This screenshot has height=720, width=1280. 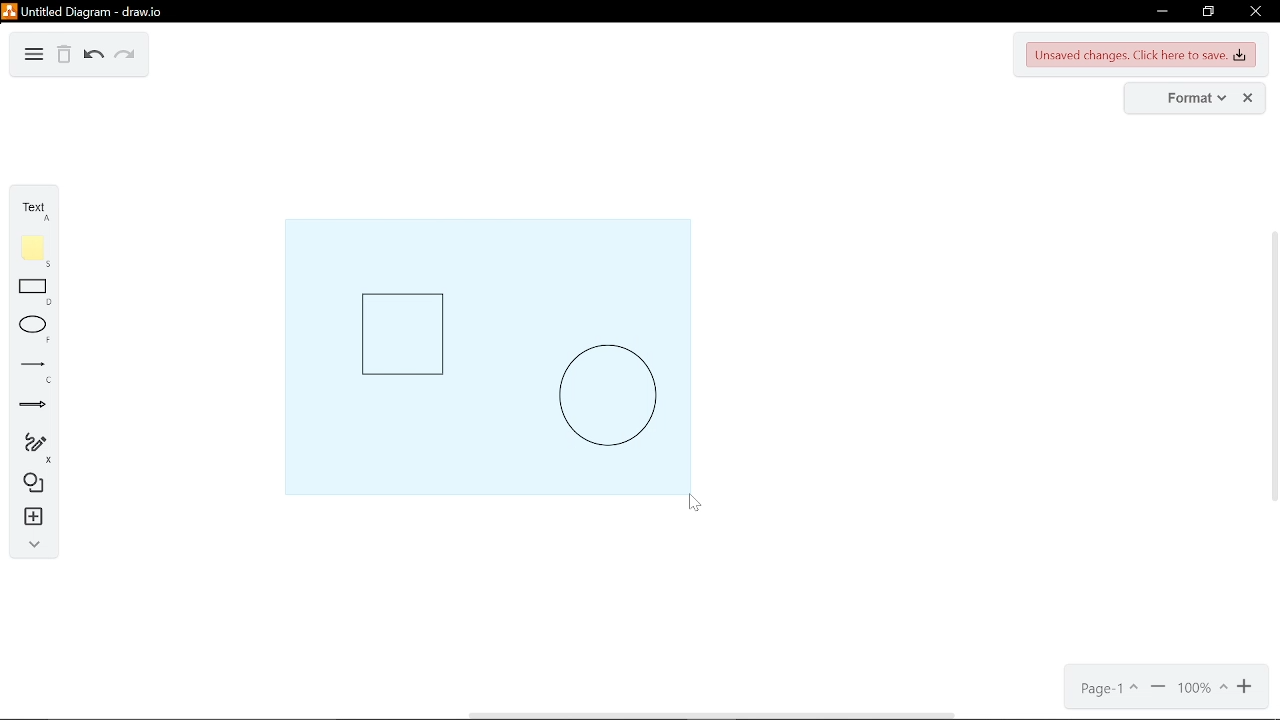 I want to click on note, so click(x=34, y=250).